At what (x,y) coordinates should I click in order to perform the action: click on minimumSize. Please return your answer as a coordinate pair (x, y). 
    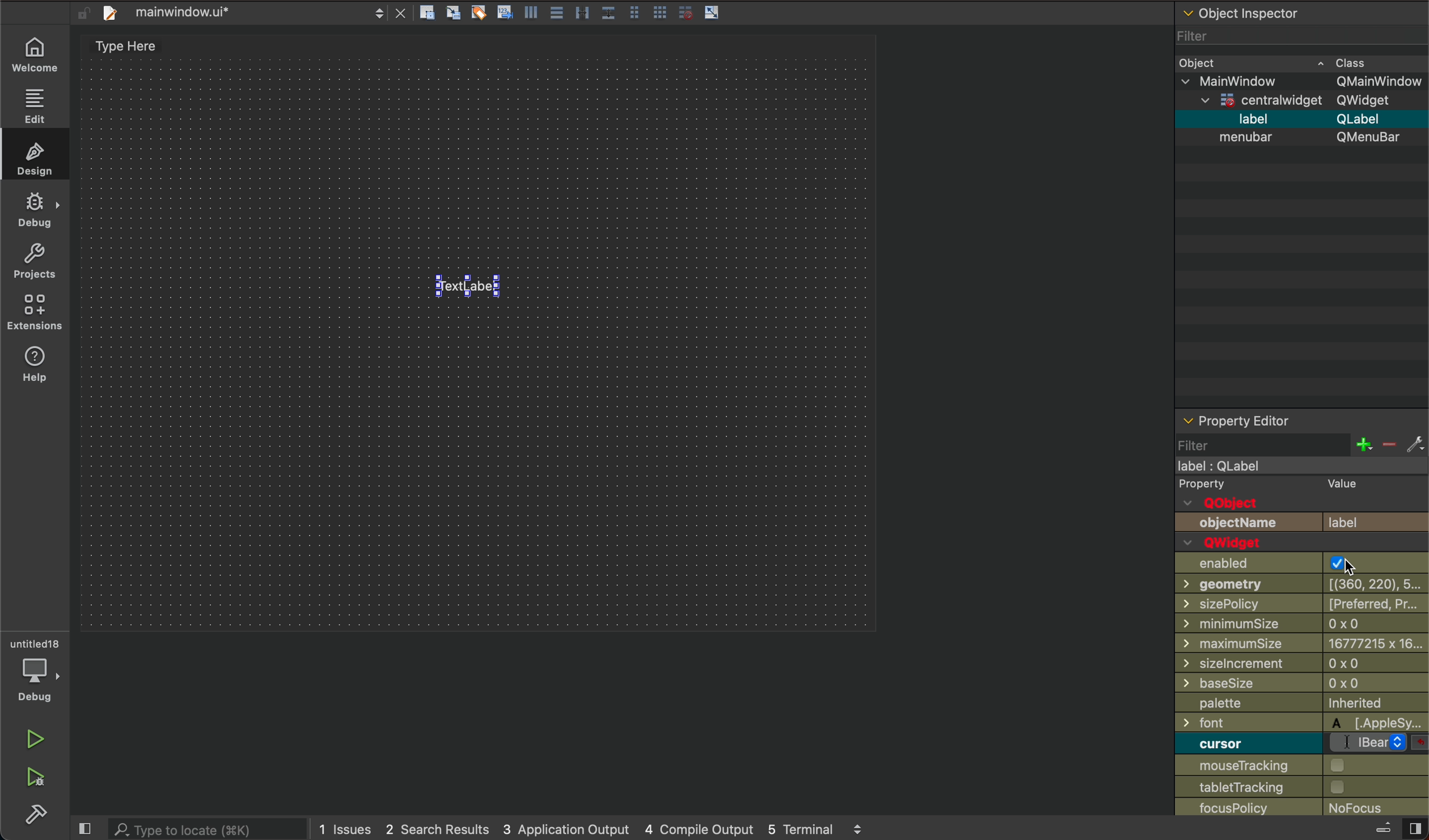
    Looking at the image, I should click on (1247, 623).